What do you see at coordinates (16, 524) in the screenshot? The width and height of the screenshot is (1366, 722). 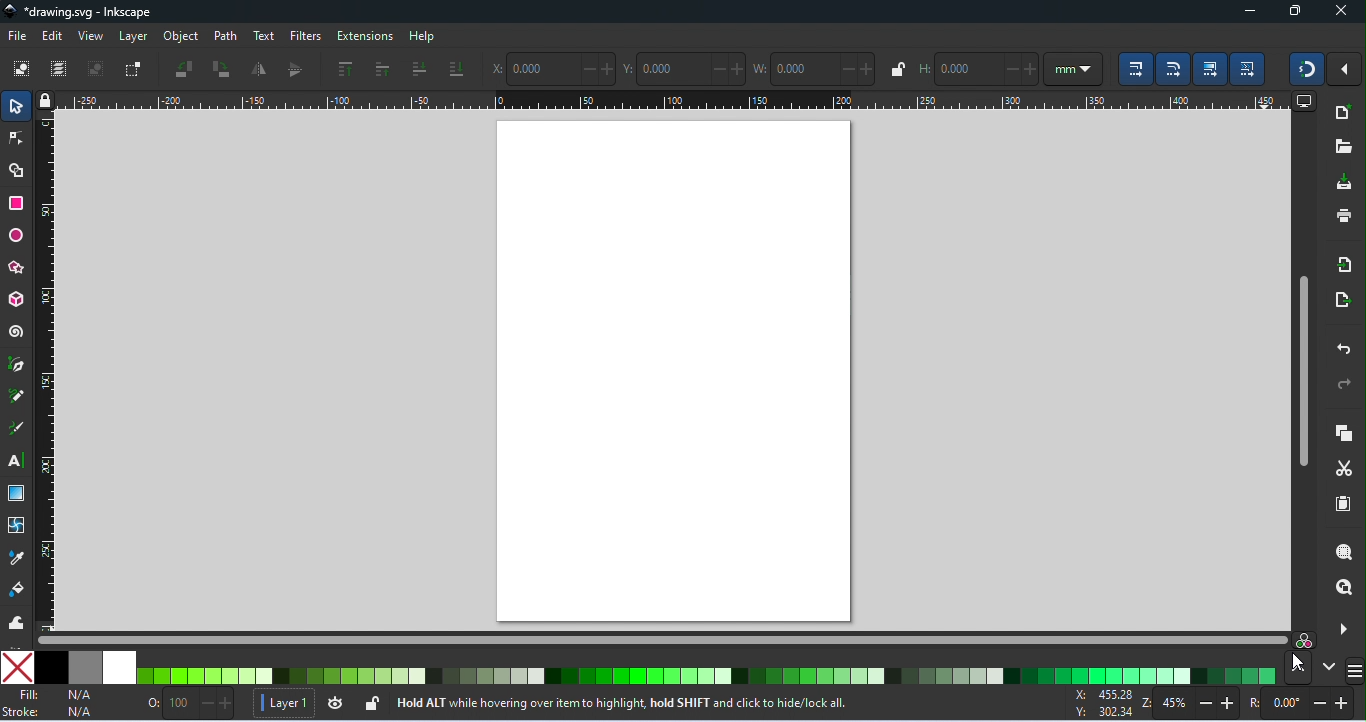 I see `mesh` at bounding box center [16, 524].